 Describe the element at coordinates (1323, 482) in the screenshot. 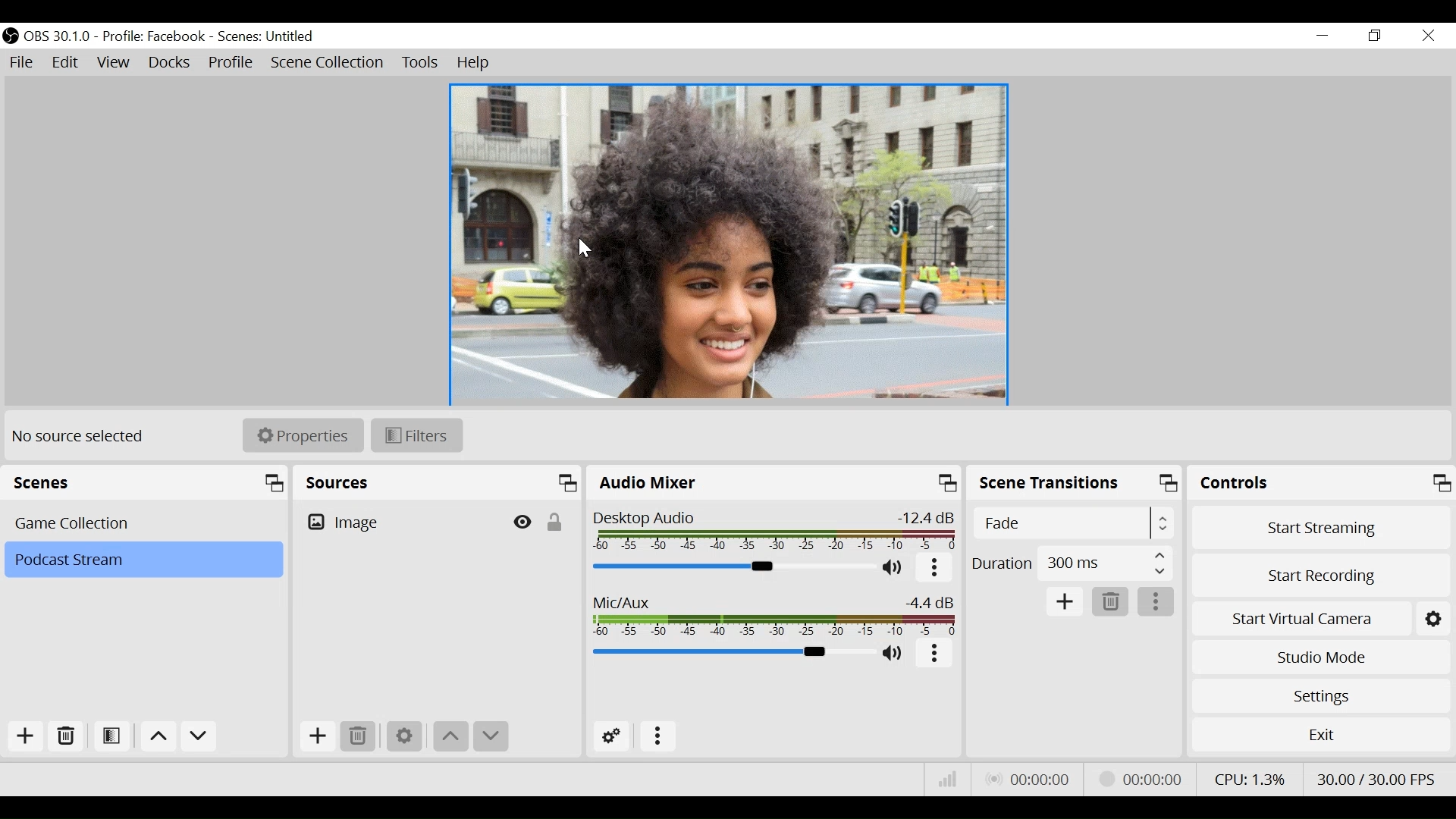

I see `Controls` at that location.